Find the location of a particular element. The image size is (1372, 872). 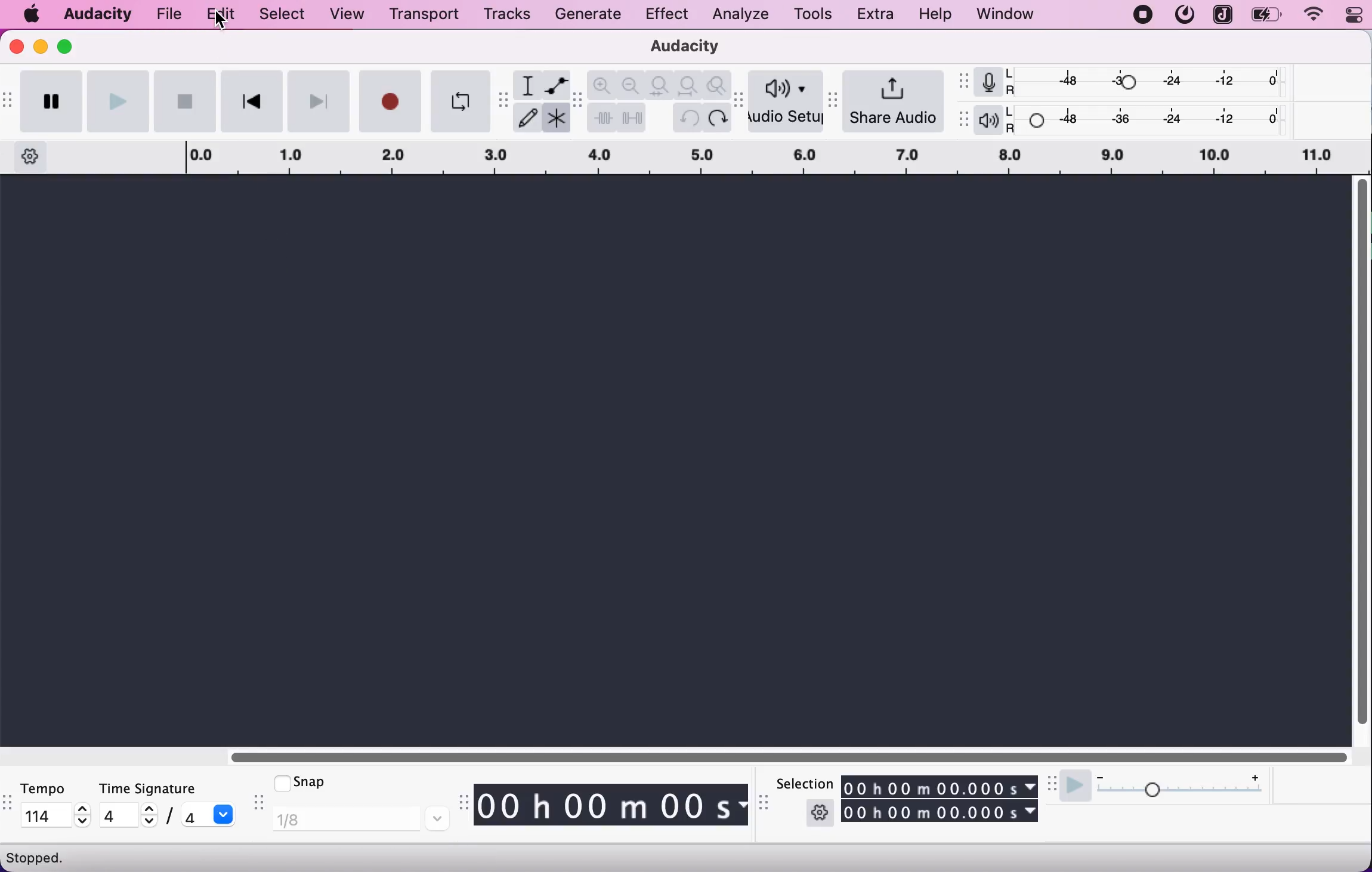

record meter is located at coordinates (988, 82).